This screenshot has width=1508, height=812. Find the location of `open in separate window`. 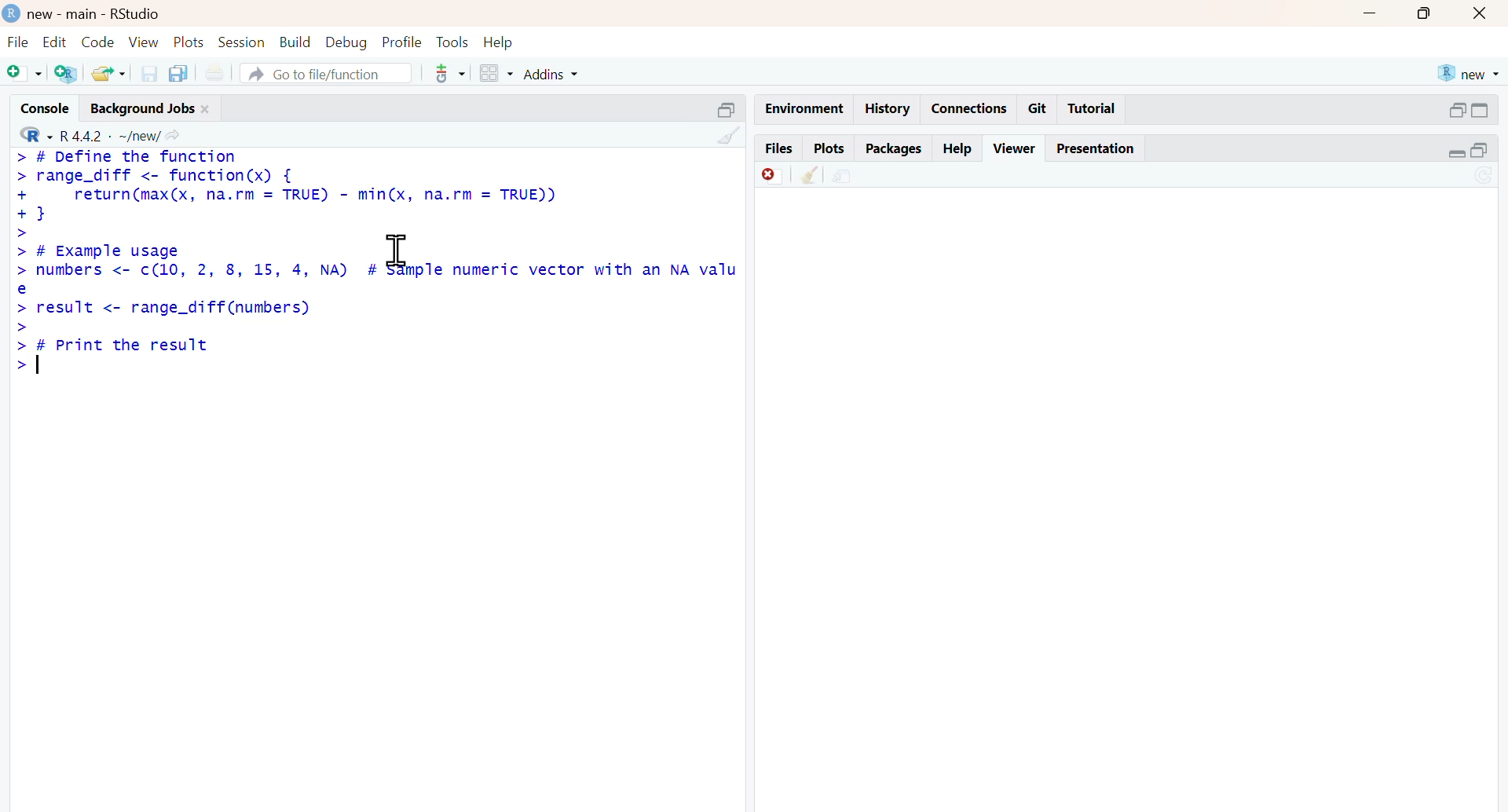

open in separate window is located at coordinates (1458, 110).